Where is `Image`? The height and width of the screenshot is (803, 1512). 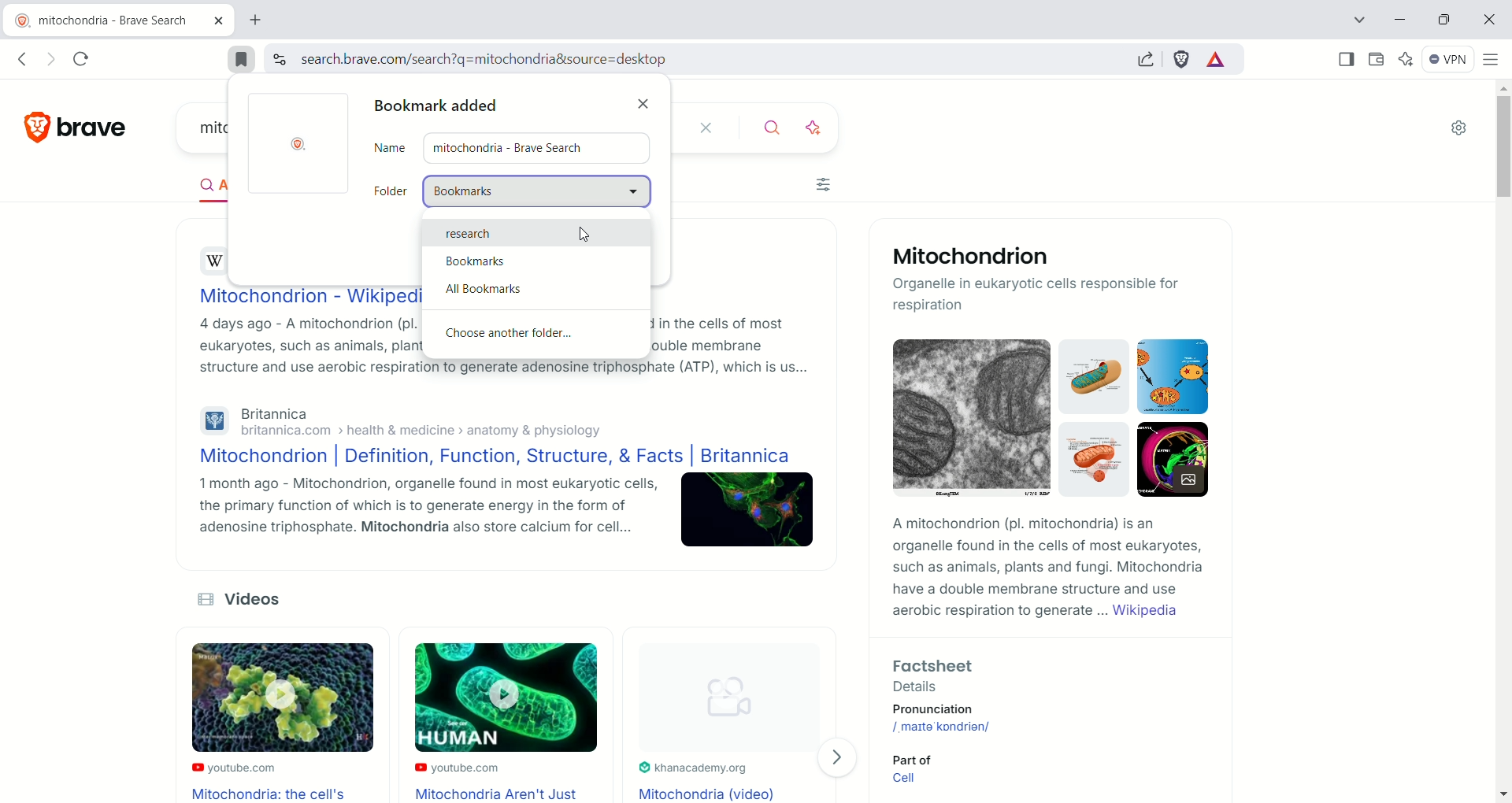 Image is located at coordinates (748, 513).